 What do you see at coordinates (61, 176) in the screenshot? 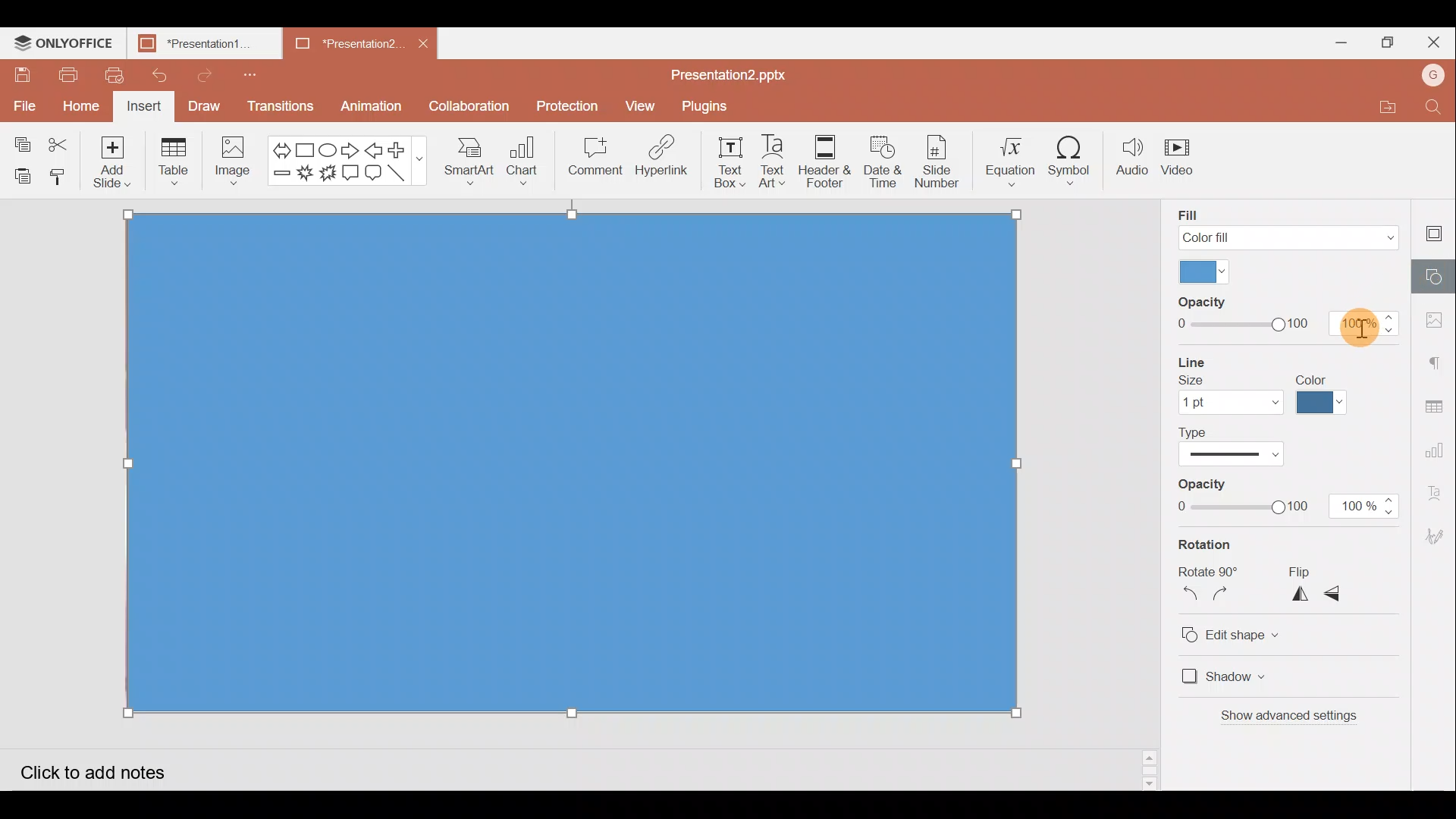
I see `Copy style` at bounding box center [61, 176].